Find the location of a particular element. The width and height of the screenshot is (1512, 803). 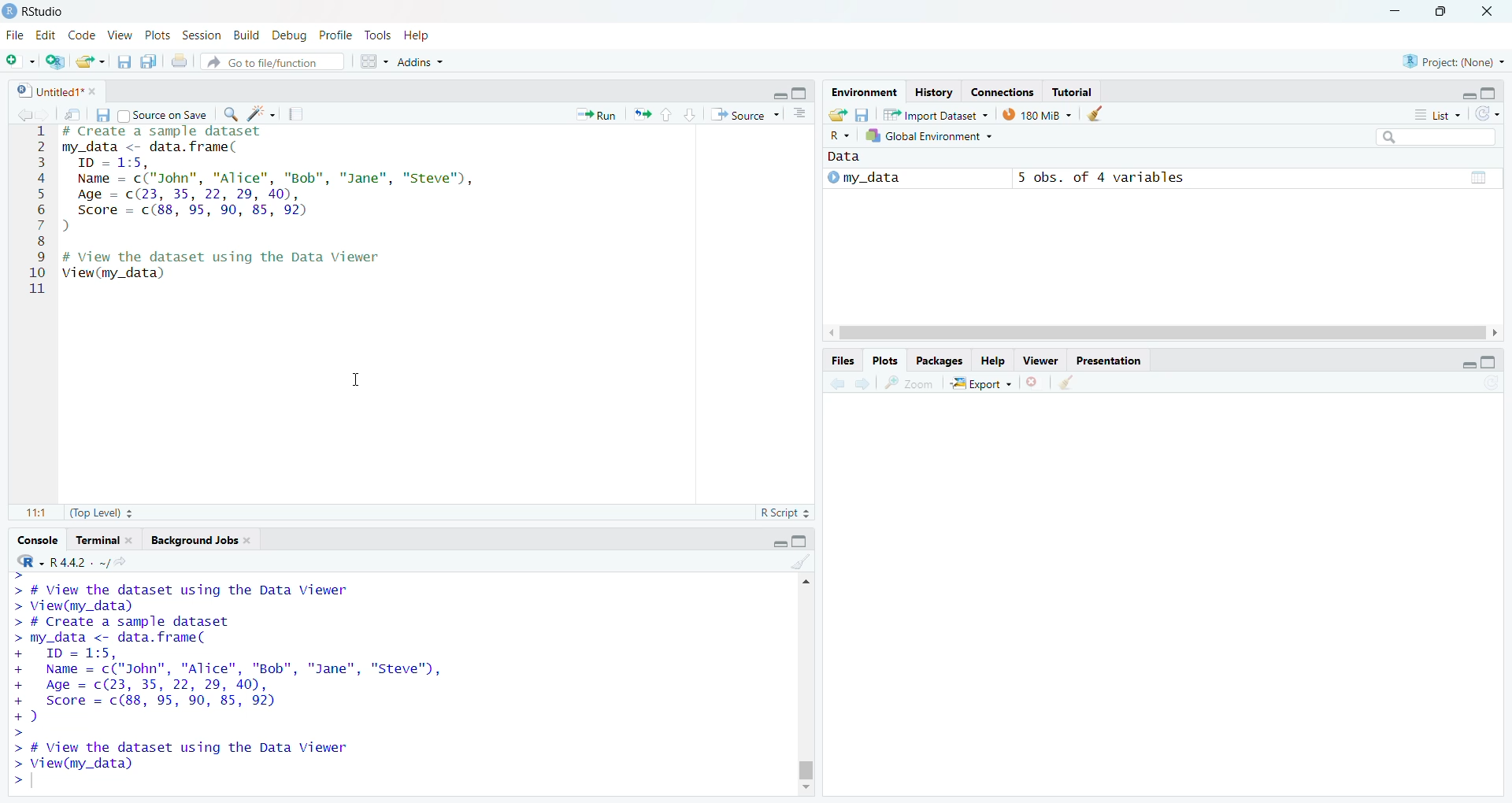

Maximize is located at coordinates (800, 94).